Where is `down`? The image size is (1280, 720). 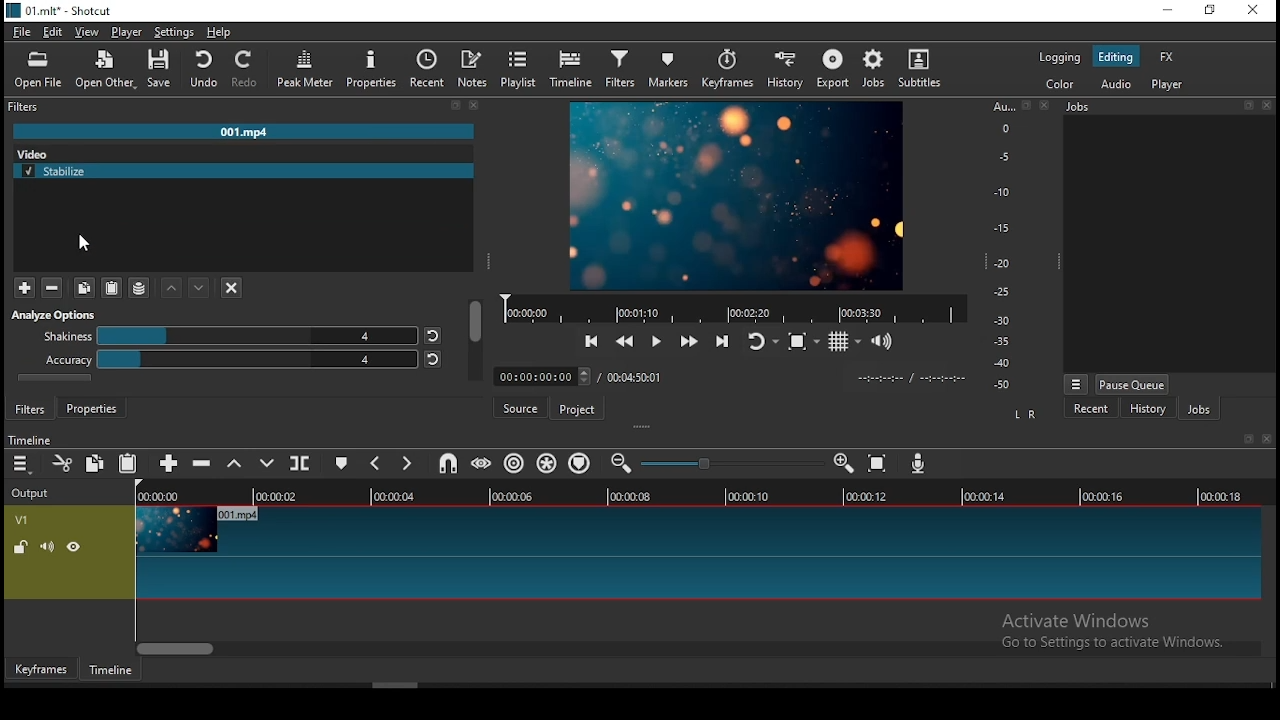 down is located at coordinates (200, 287).